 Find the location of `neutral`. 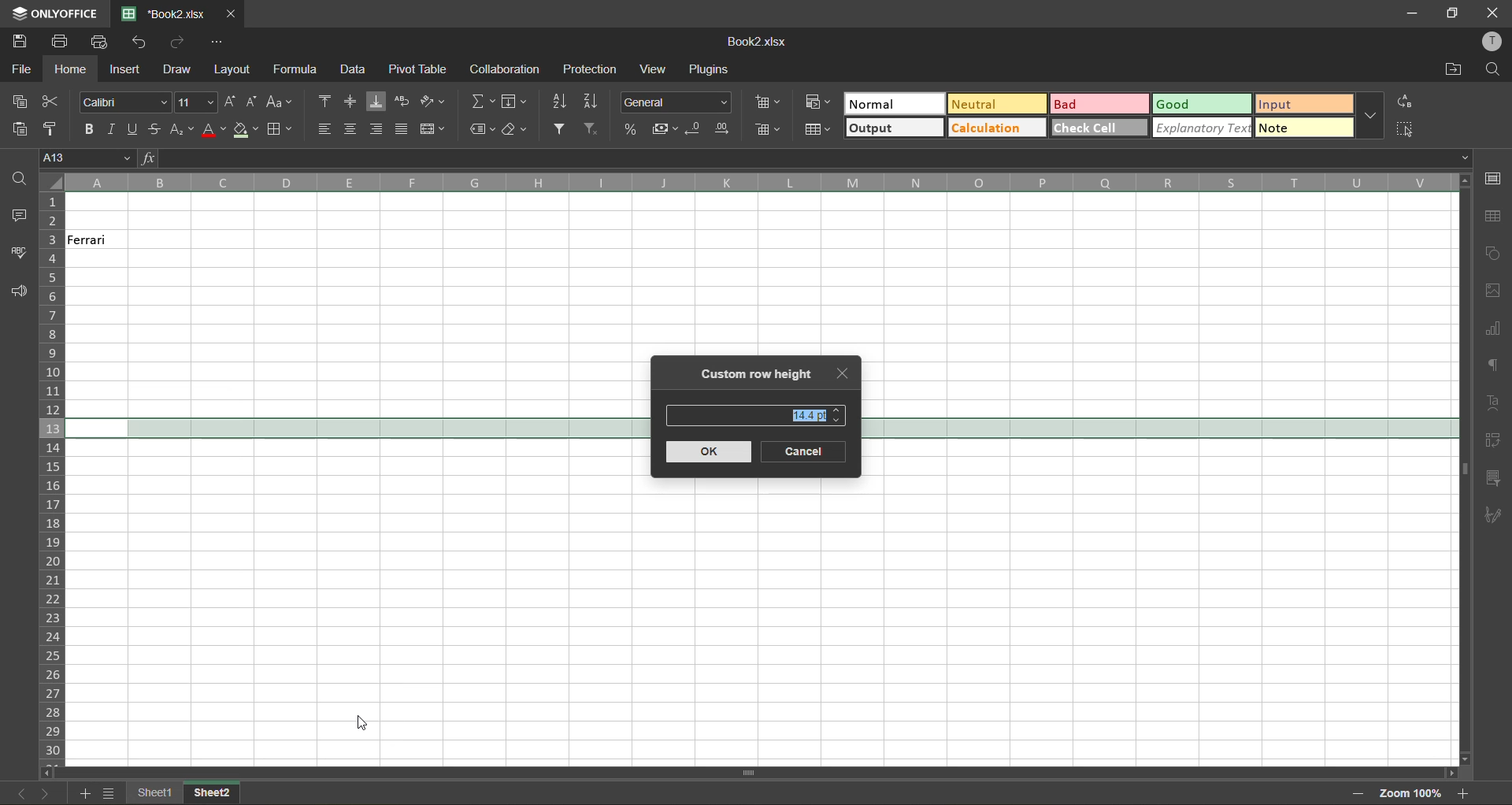

neutral is located at coordinates (1001, 105).